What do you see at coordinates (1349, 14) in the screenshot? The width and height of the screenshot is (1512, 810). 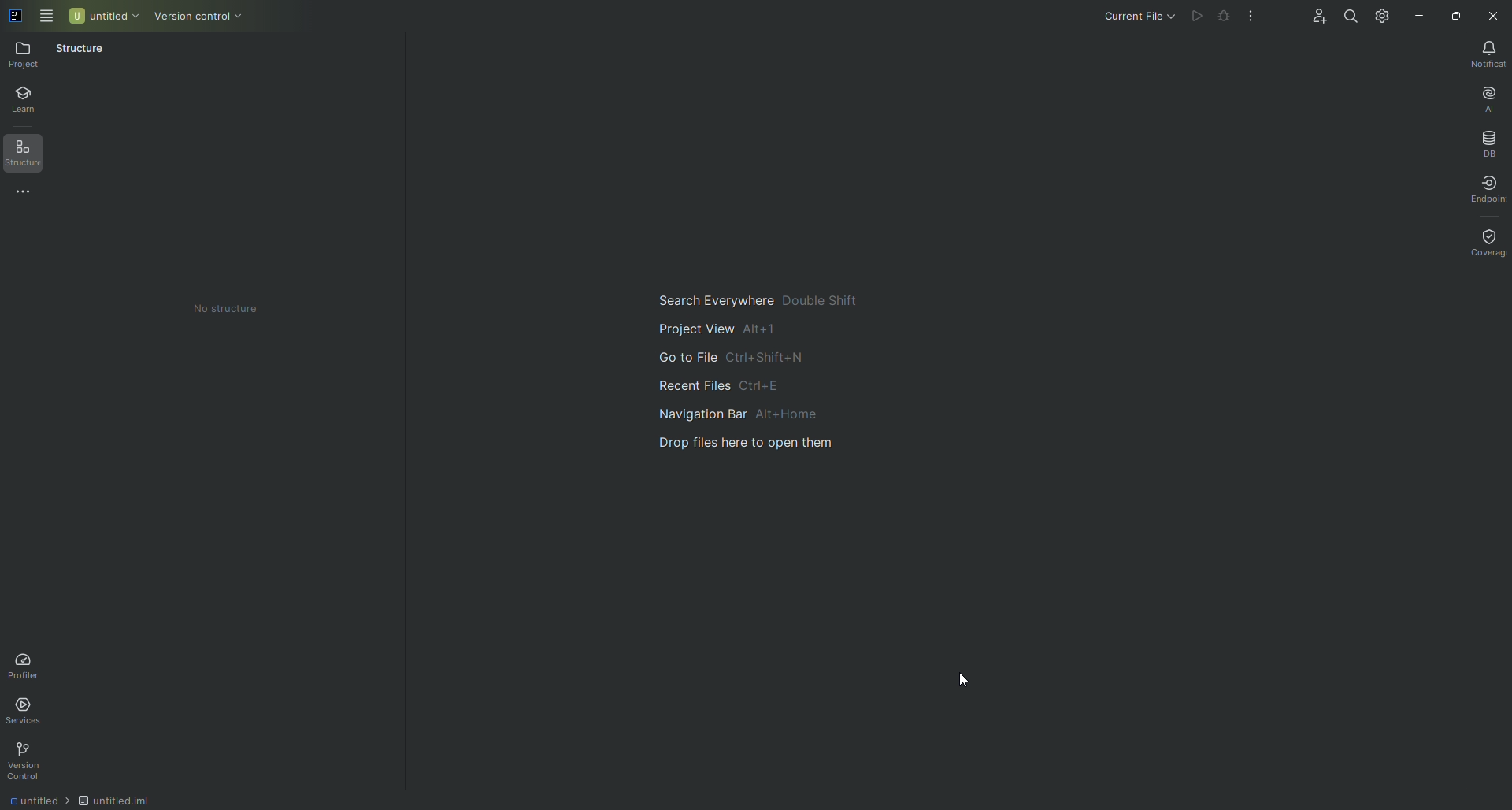 I see `Search` at bounding box center [1349, 14].